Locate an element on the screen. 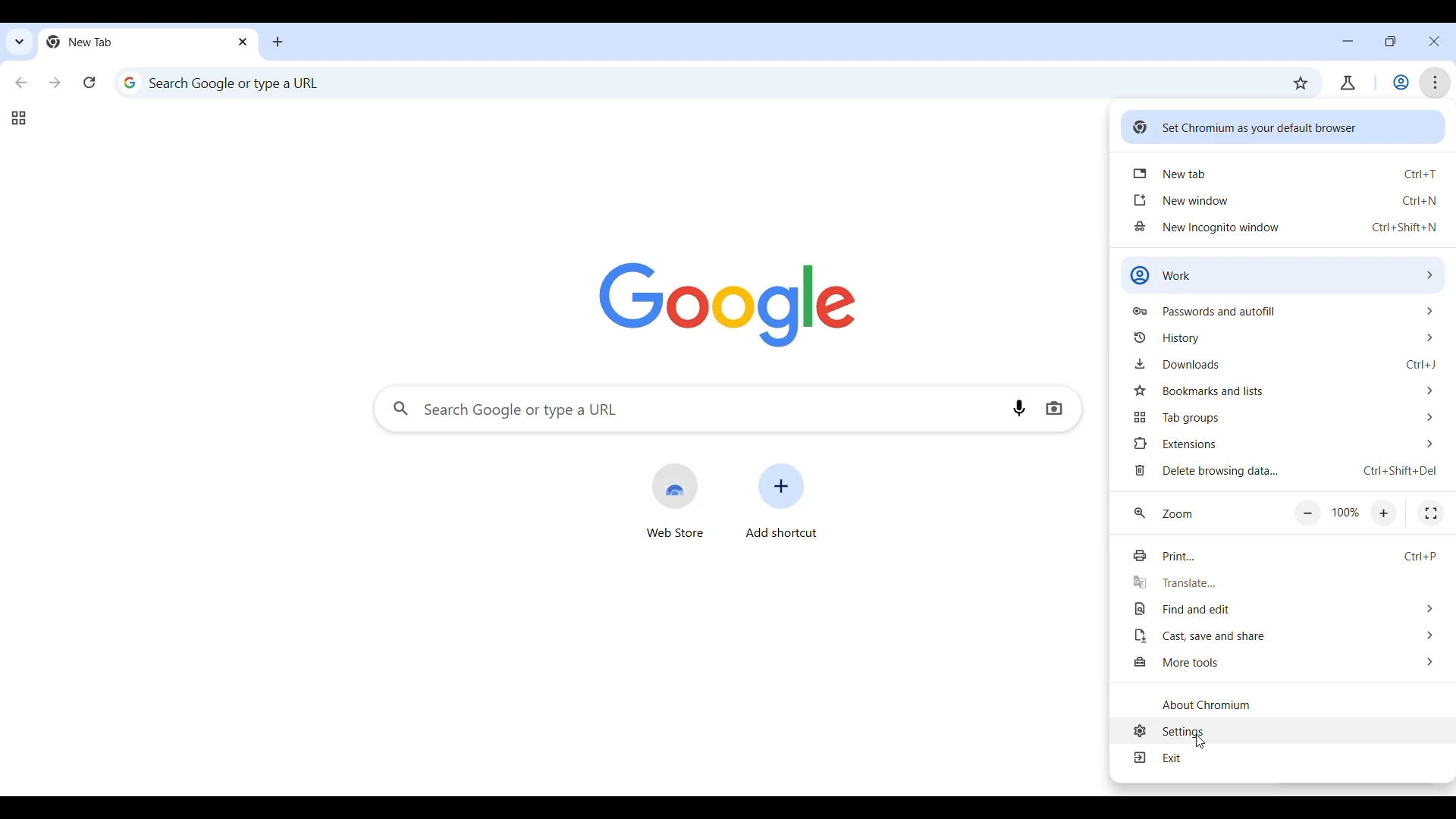 This screenshot has height=819, width=1456. Quick search tabs is located at coordinates (18, 44).